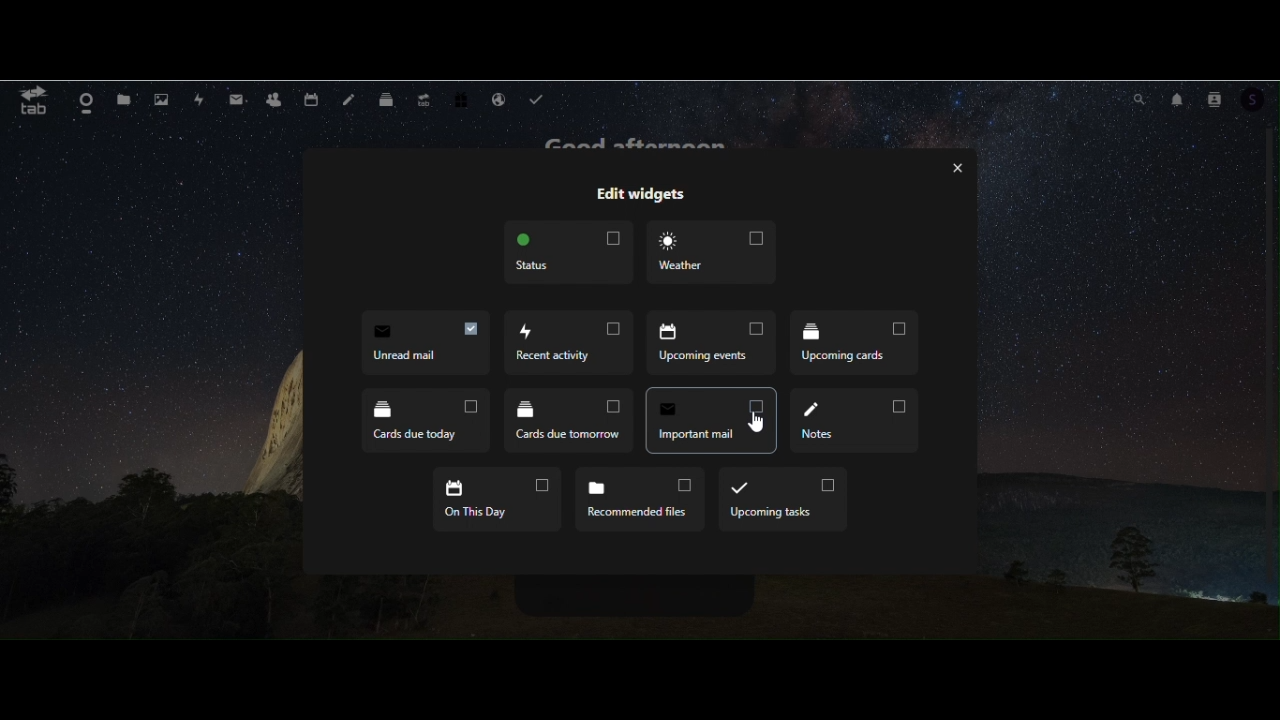 This screenshot has height=720, width=1280. Describe the element at coordinates (274, 100) in the screenshot. I see `contacts` at that location.